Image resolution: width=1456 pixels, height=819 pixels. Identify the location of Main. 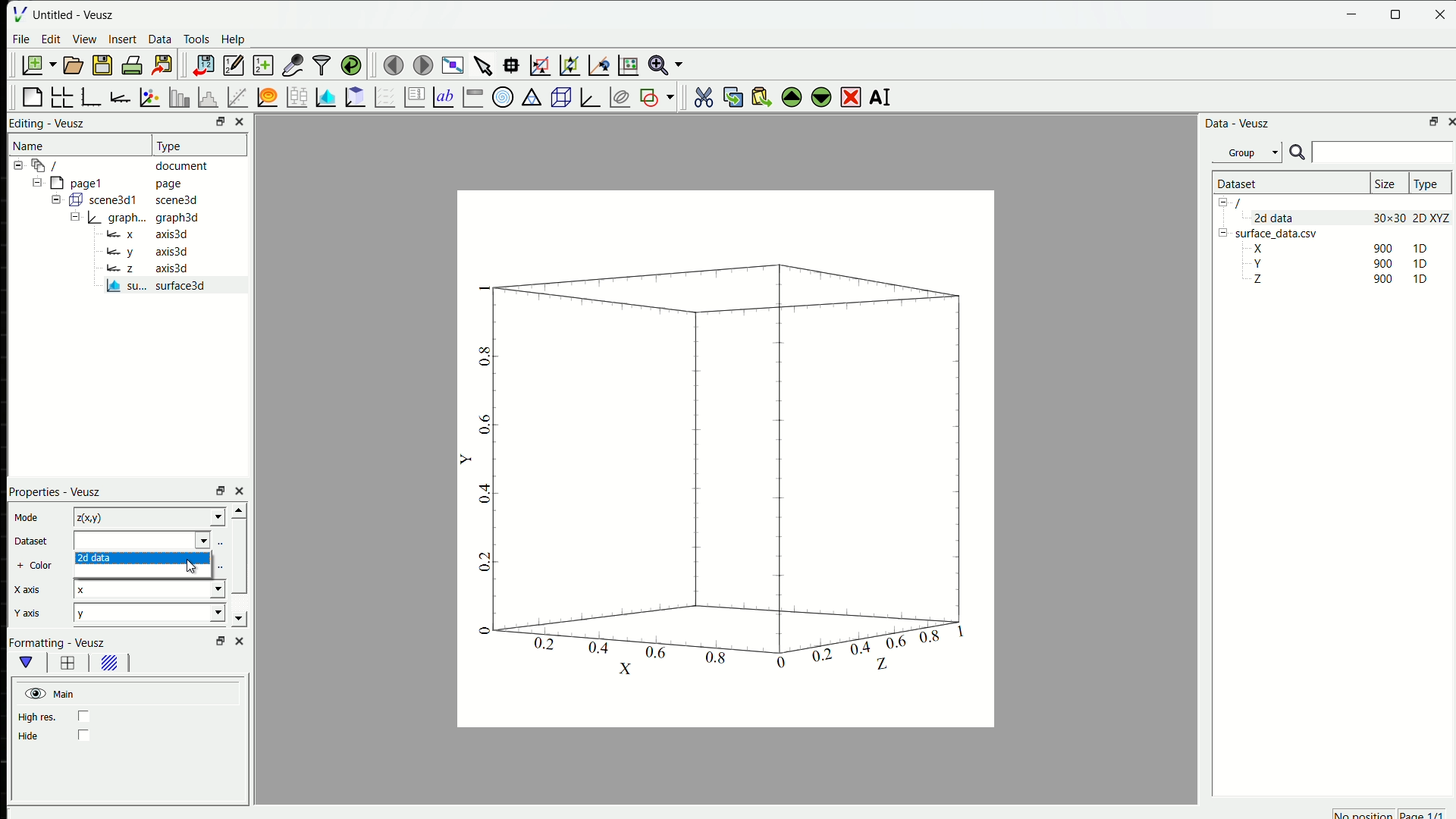
(50, 695).